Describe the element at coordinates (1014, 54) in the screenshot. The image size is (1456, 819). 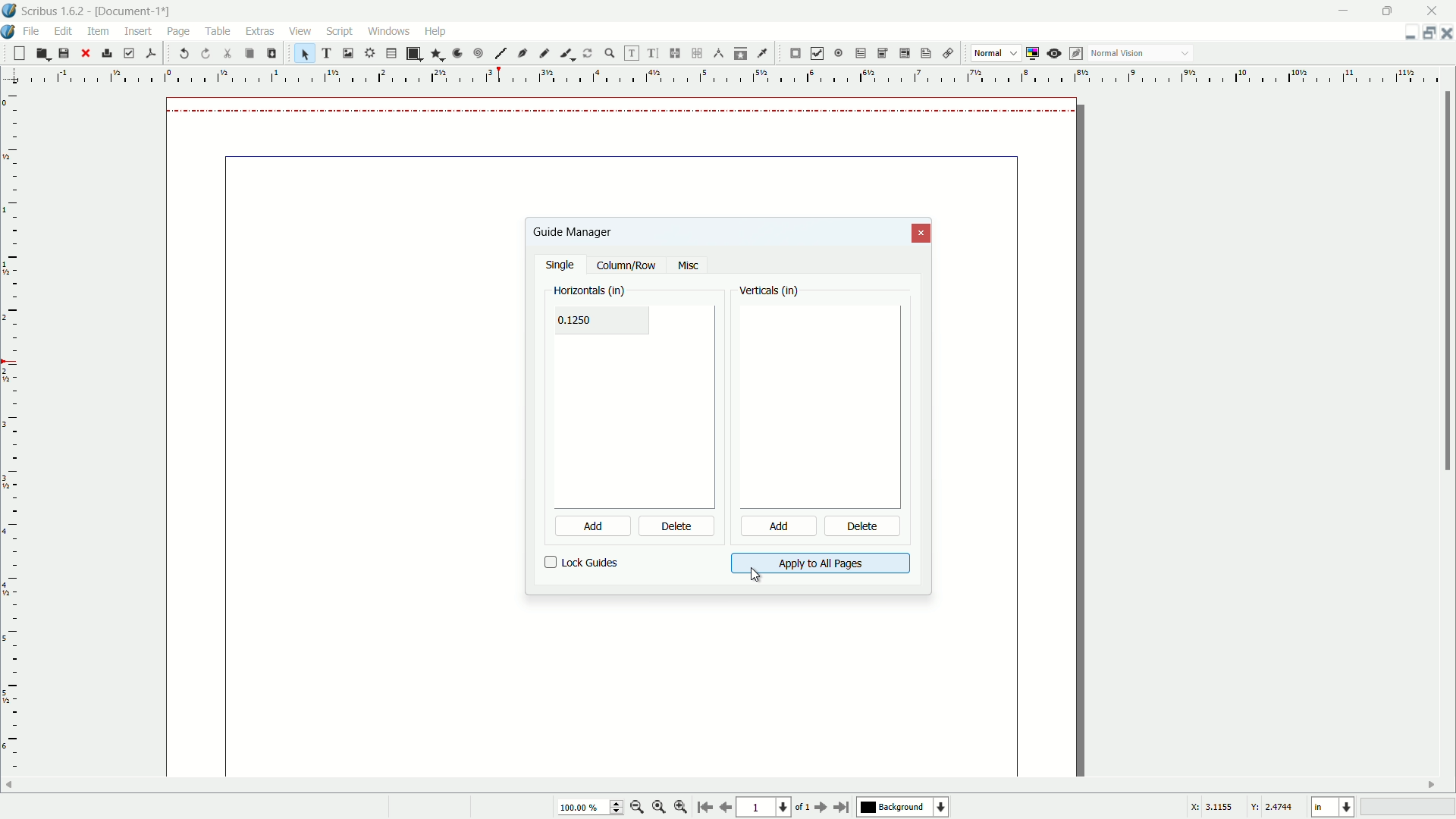
I see `dropdown` at that location.